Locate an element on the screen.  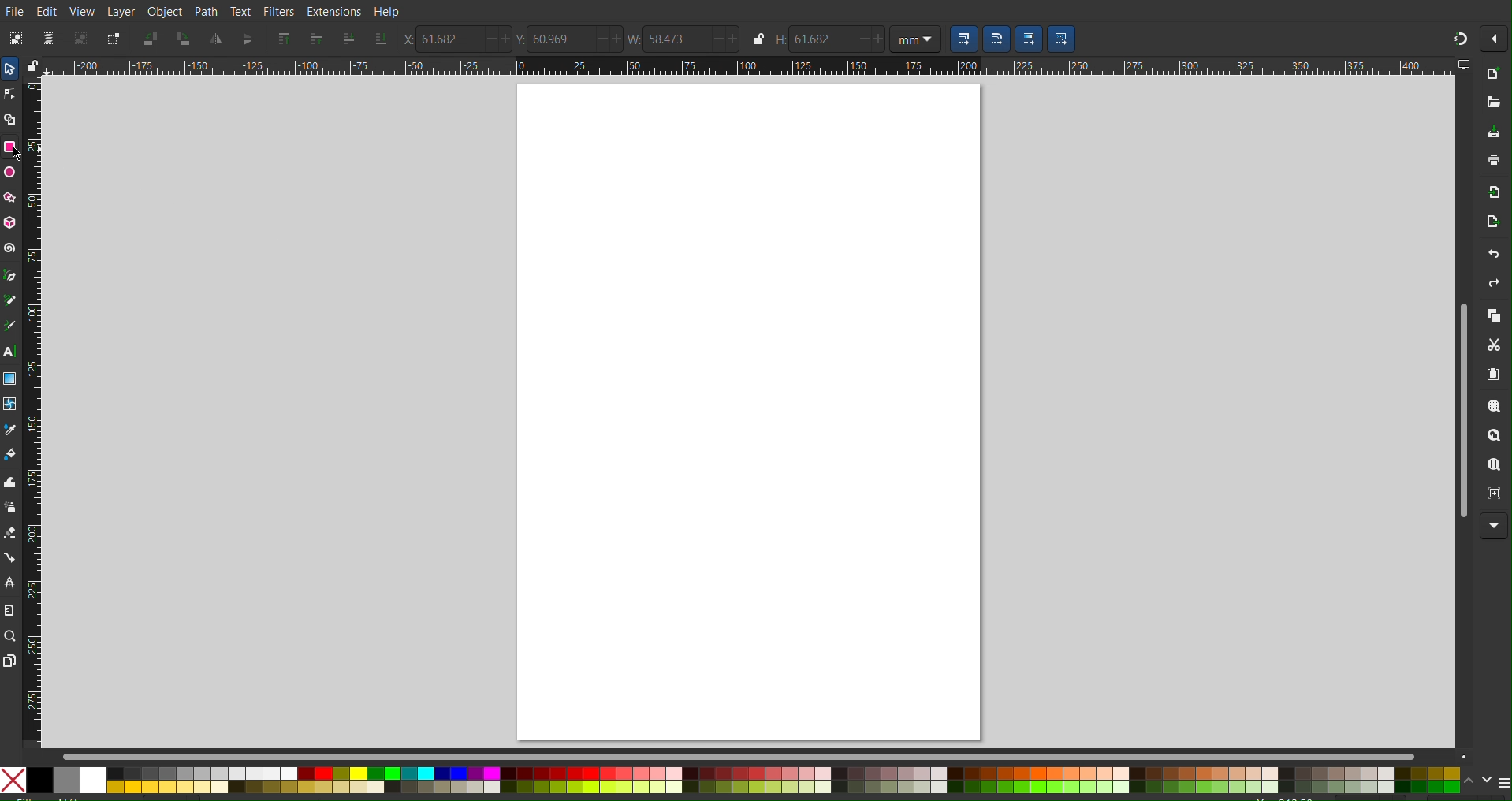
61.682 is located at coordinates (449, 39).